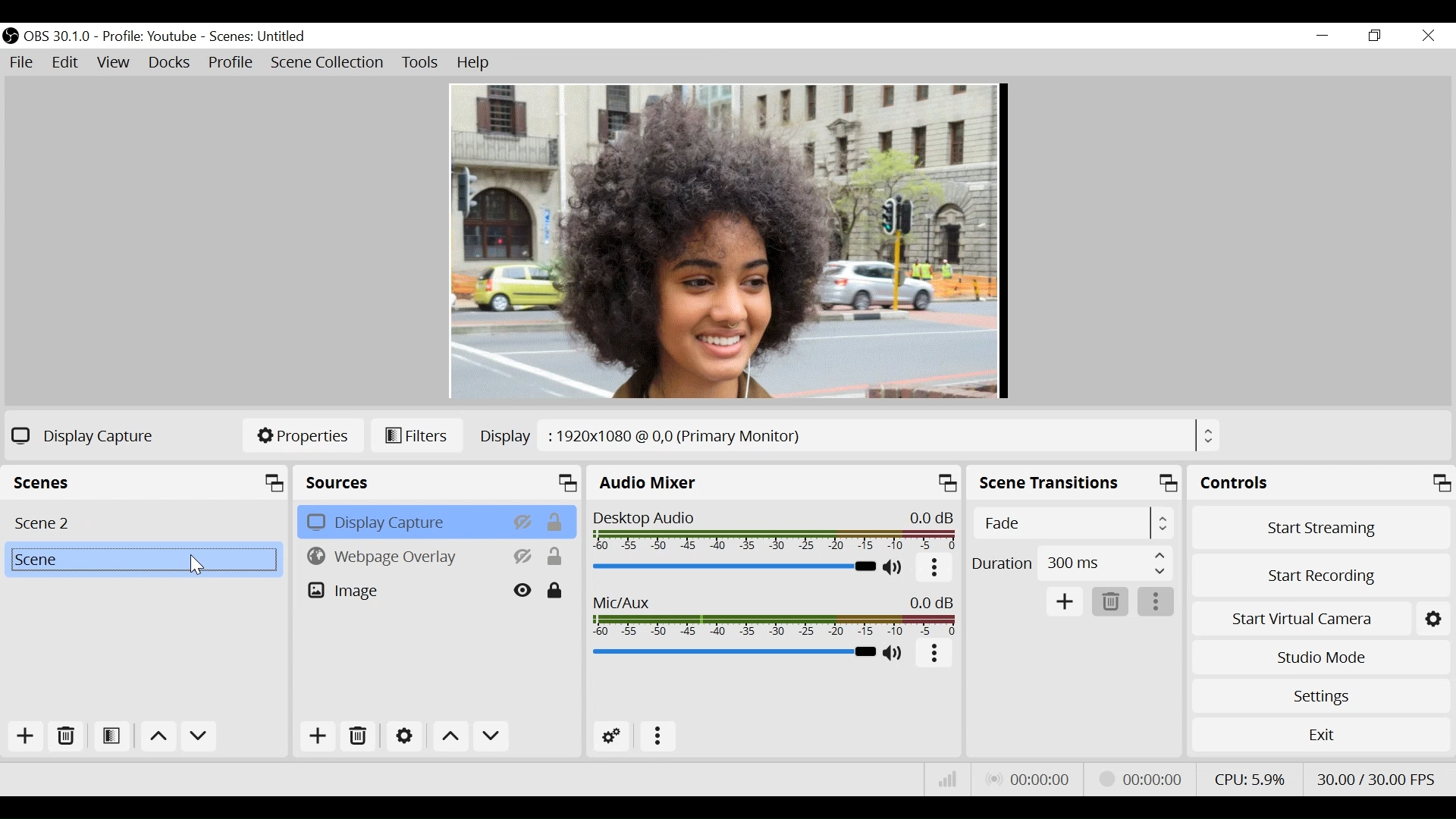  What do you see at coordinates (1109, 601) in the screenshot?
I see `Delete` at bounding box center [1109, 601].